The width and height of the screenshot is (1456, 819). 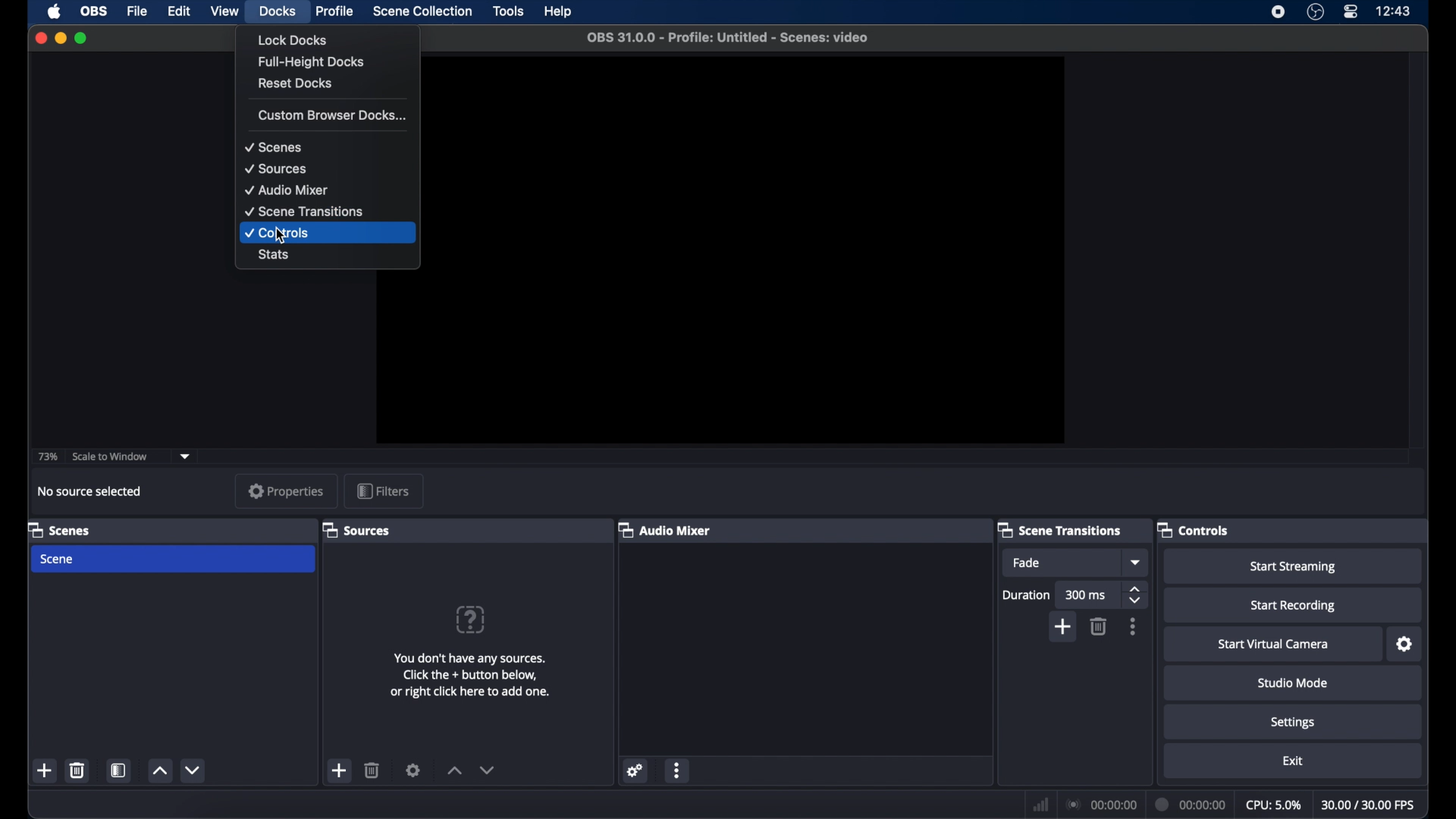 What do you see at coordinates (729, 37) in the screenshot?
I see `file name` at bounding box center [729, 37].